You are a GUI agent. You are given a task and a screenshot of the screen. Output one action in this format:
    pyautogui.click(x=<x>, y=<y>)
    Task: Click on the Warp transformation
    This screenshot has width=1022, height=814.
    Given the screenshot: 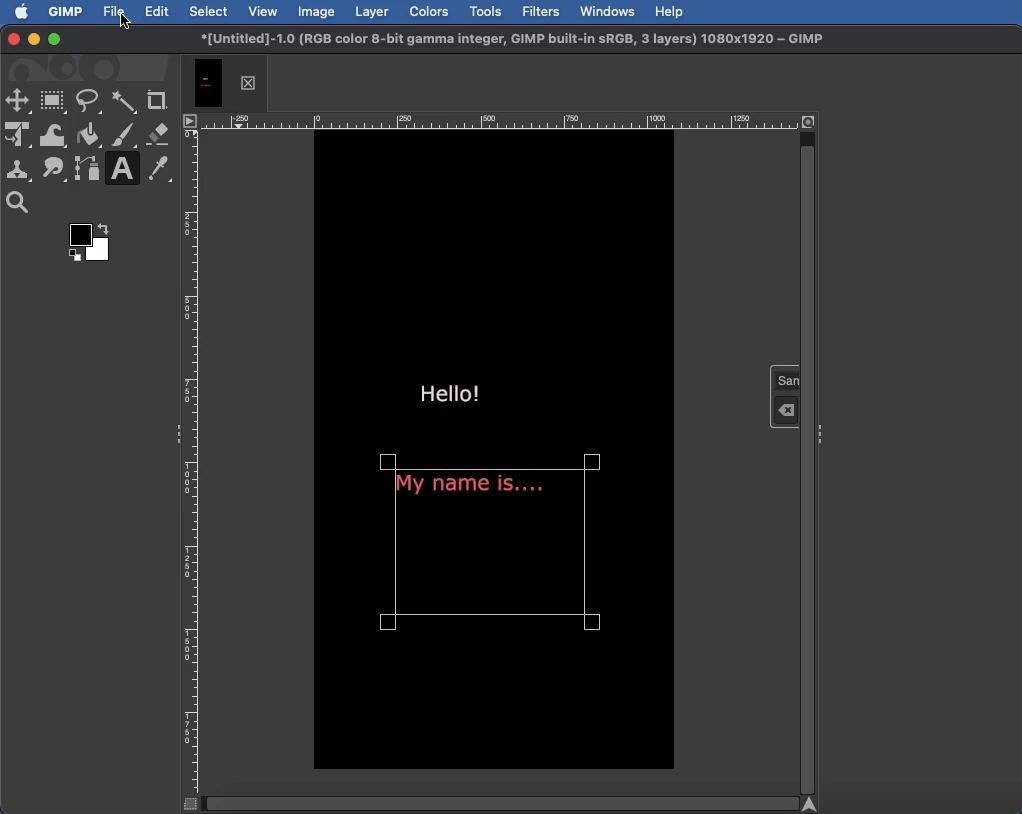 What is the action you would take?
    pyautogui.click(x=55, y=135)
    